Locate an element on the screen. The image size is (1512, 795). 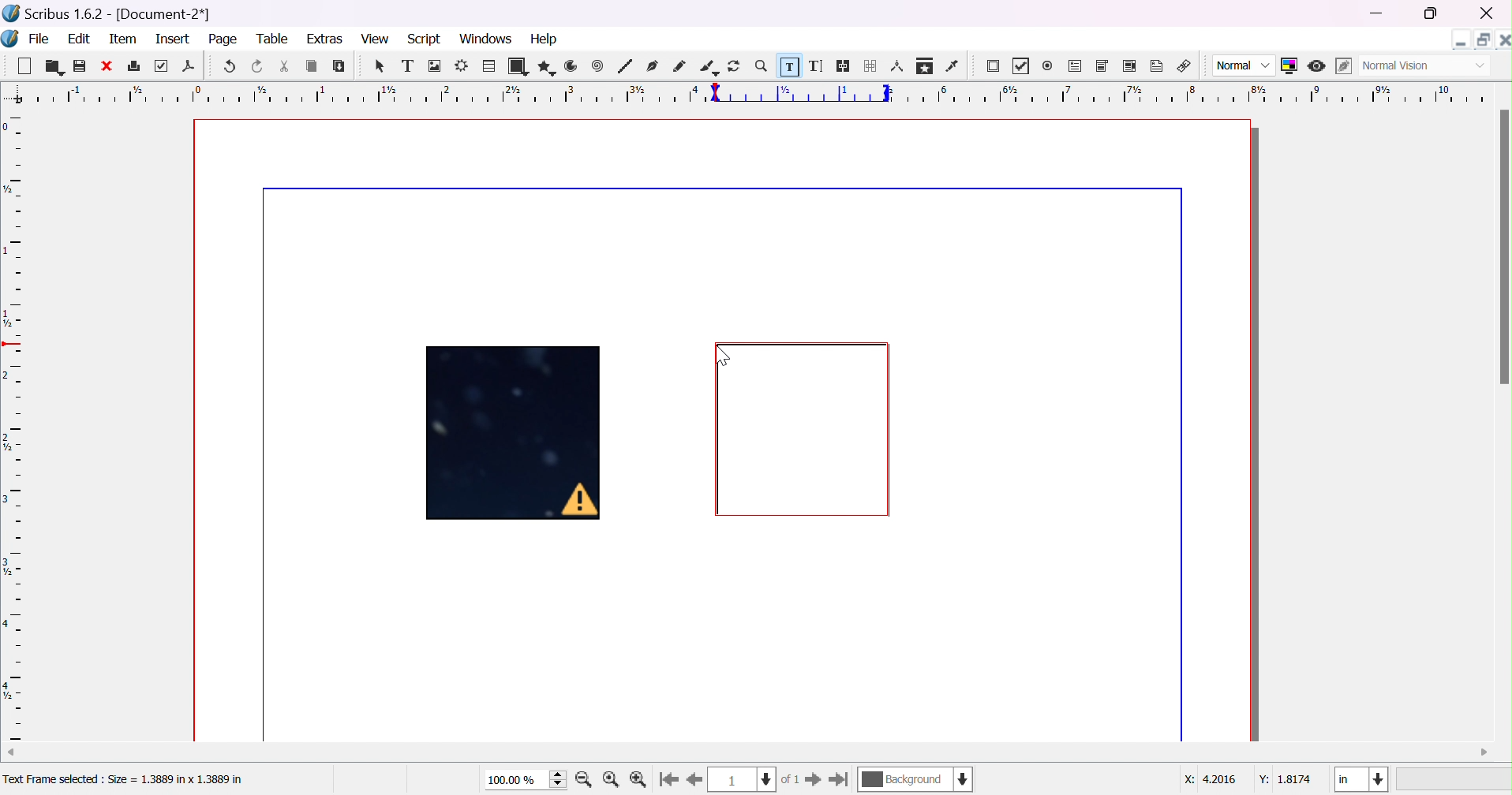
open is located at coordinates (51, 67).